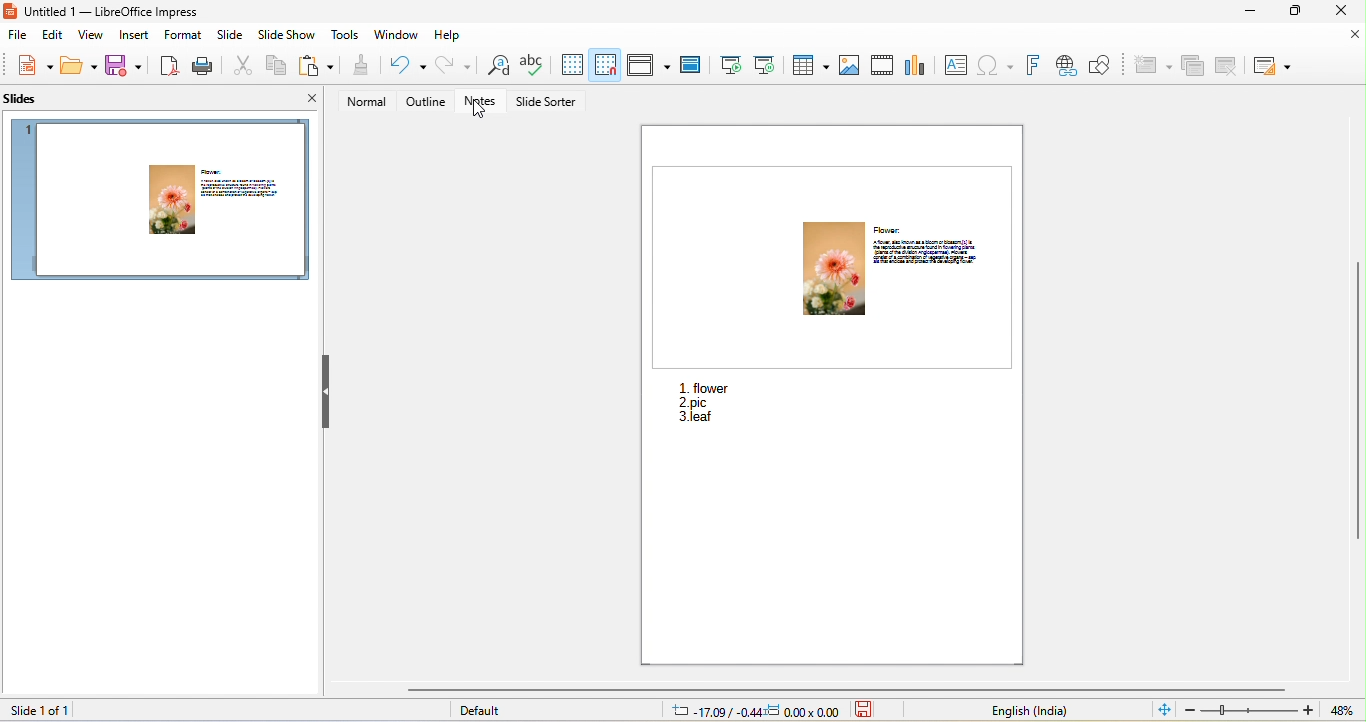 Image resolution: width=1366 pixels, height=722 pixels. Describe the element at coordinates (1254, 11) in the screenshot. I see `minimize` at that location.